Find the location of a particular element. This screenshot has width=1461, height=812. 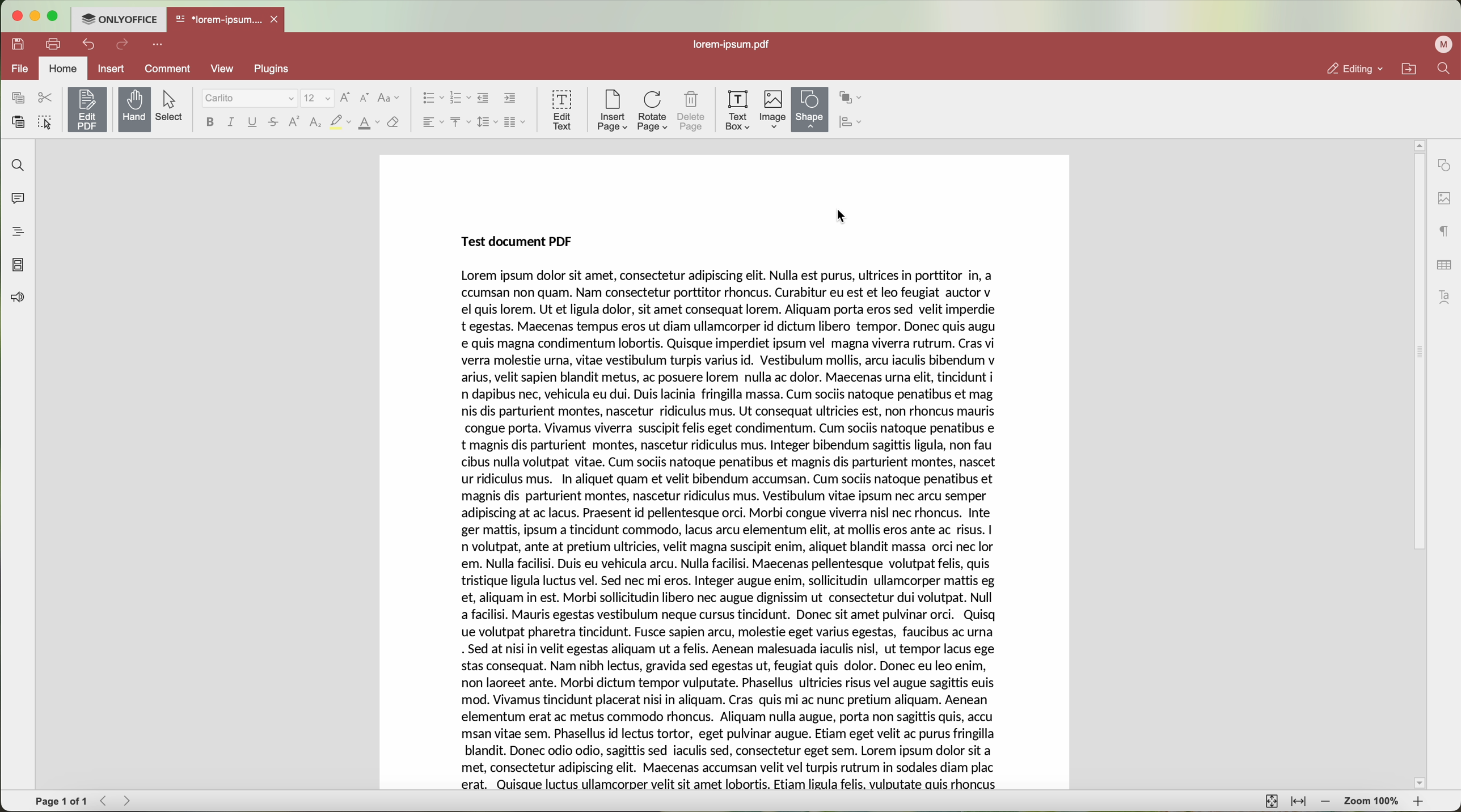

increment font size is located at coordinates (348, 96).